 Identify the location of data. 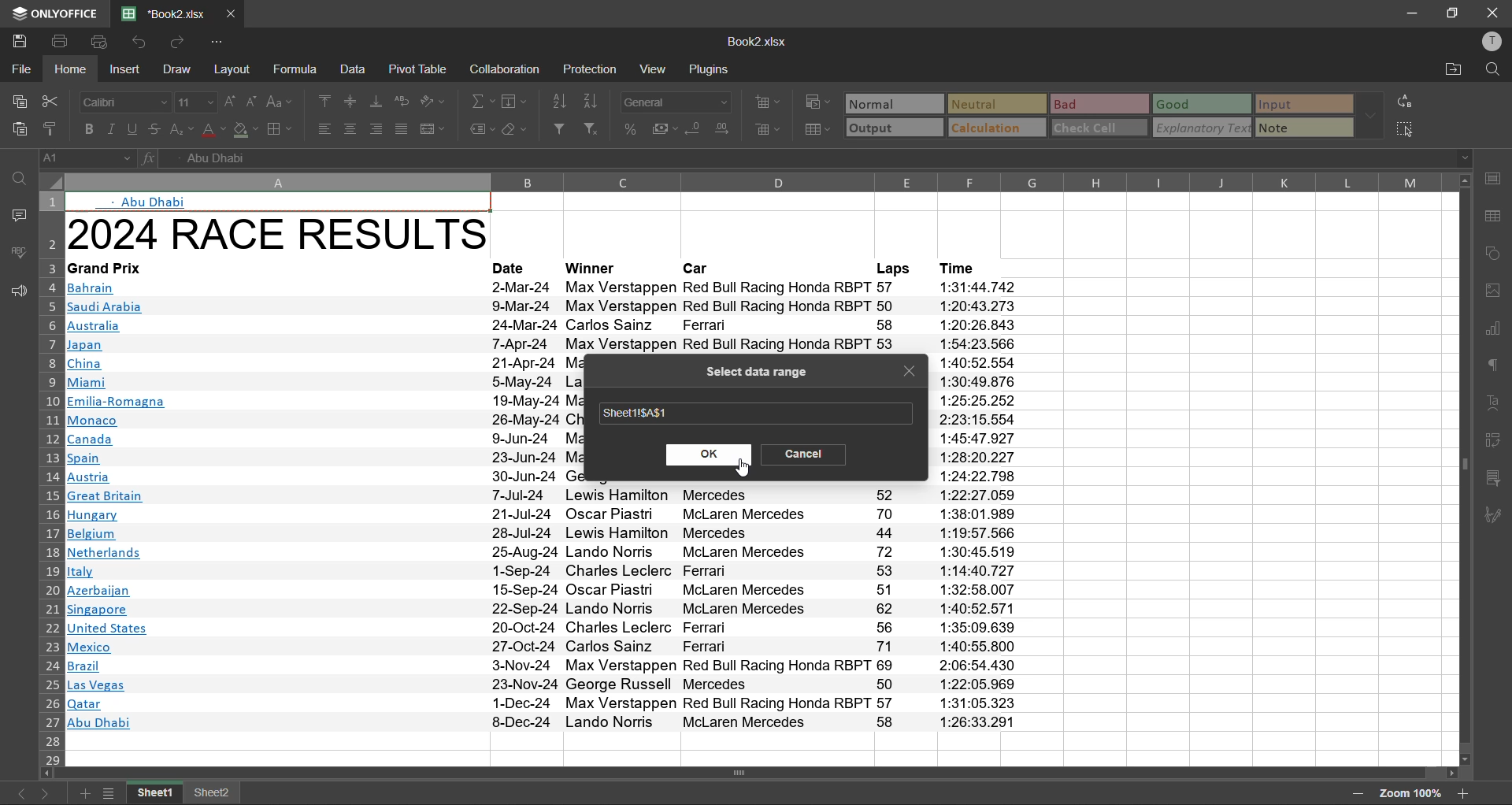
(358, 71).